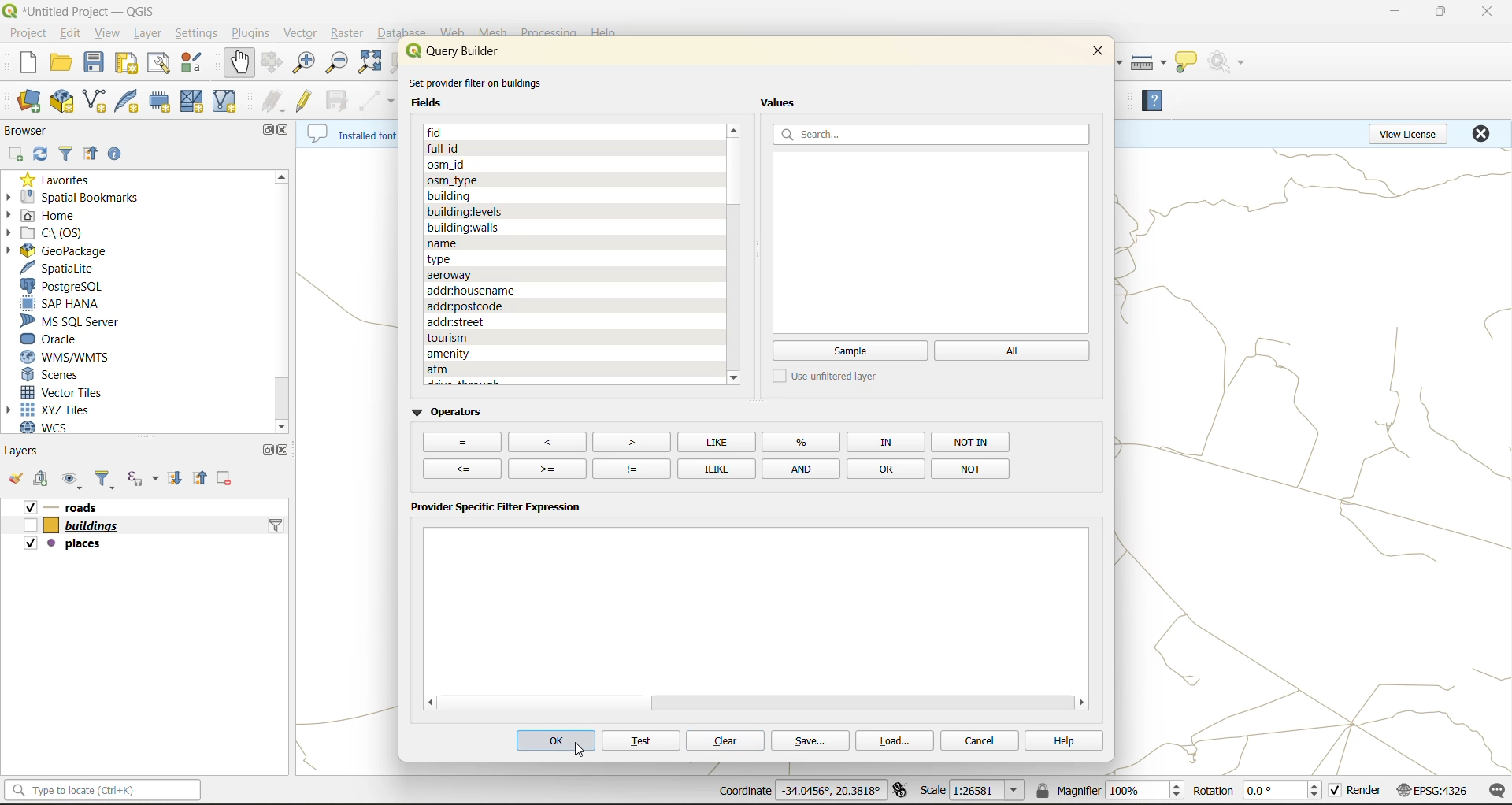  What do you see at coordinates (1440, 13) in the screenshot?
I see `maximize` at bounding box center [1440, 13].